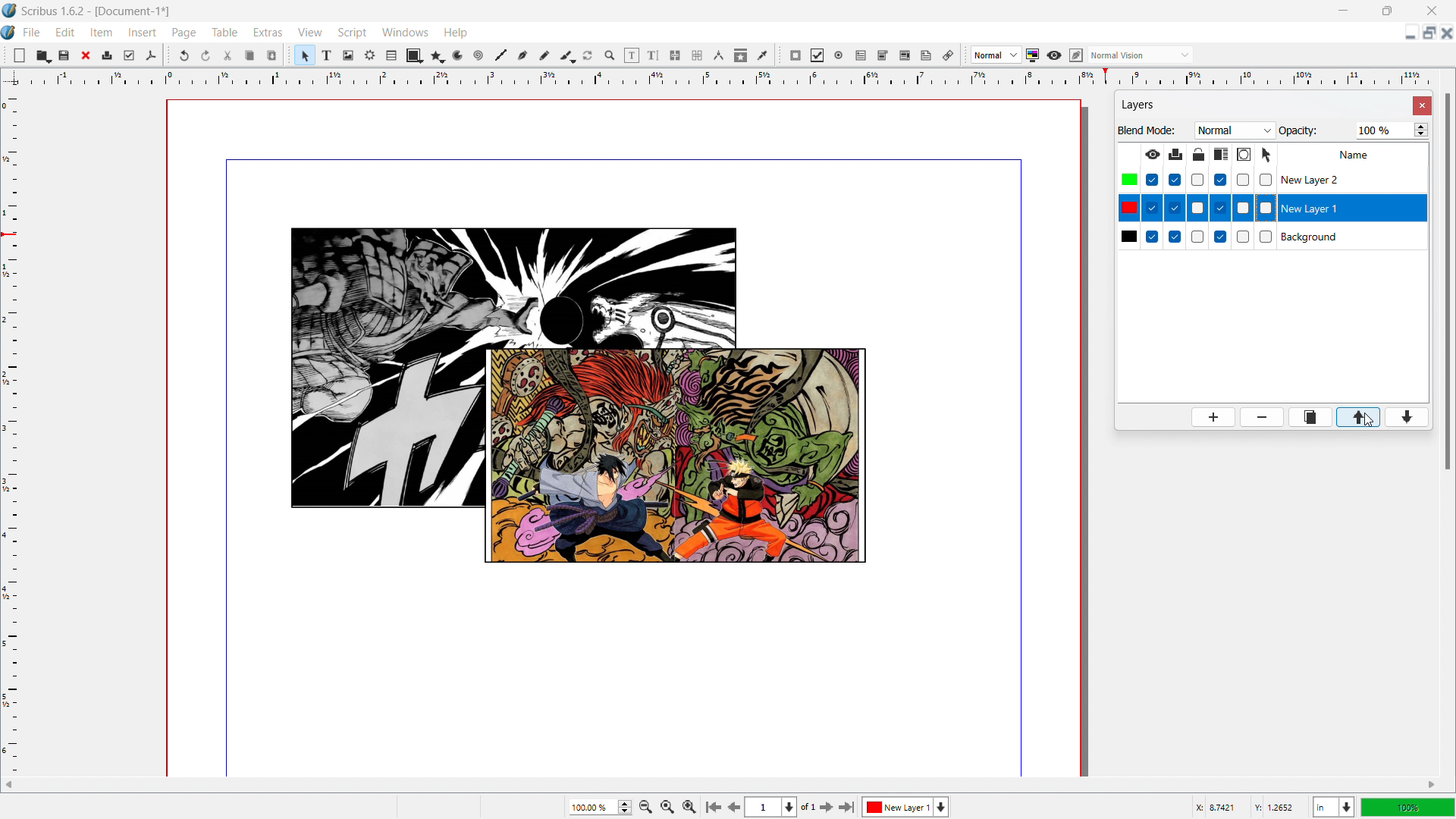 The image size is (1456, 819). I want to click on scroll left, so click(10, 784).